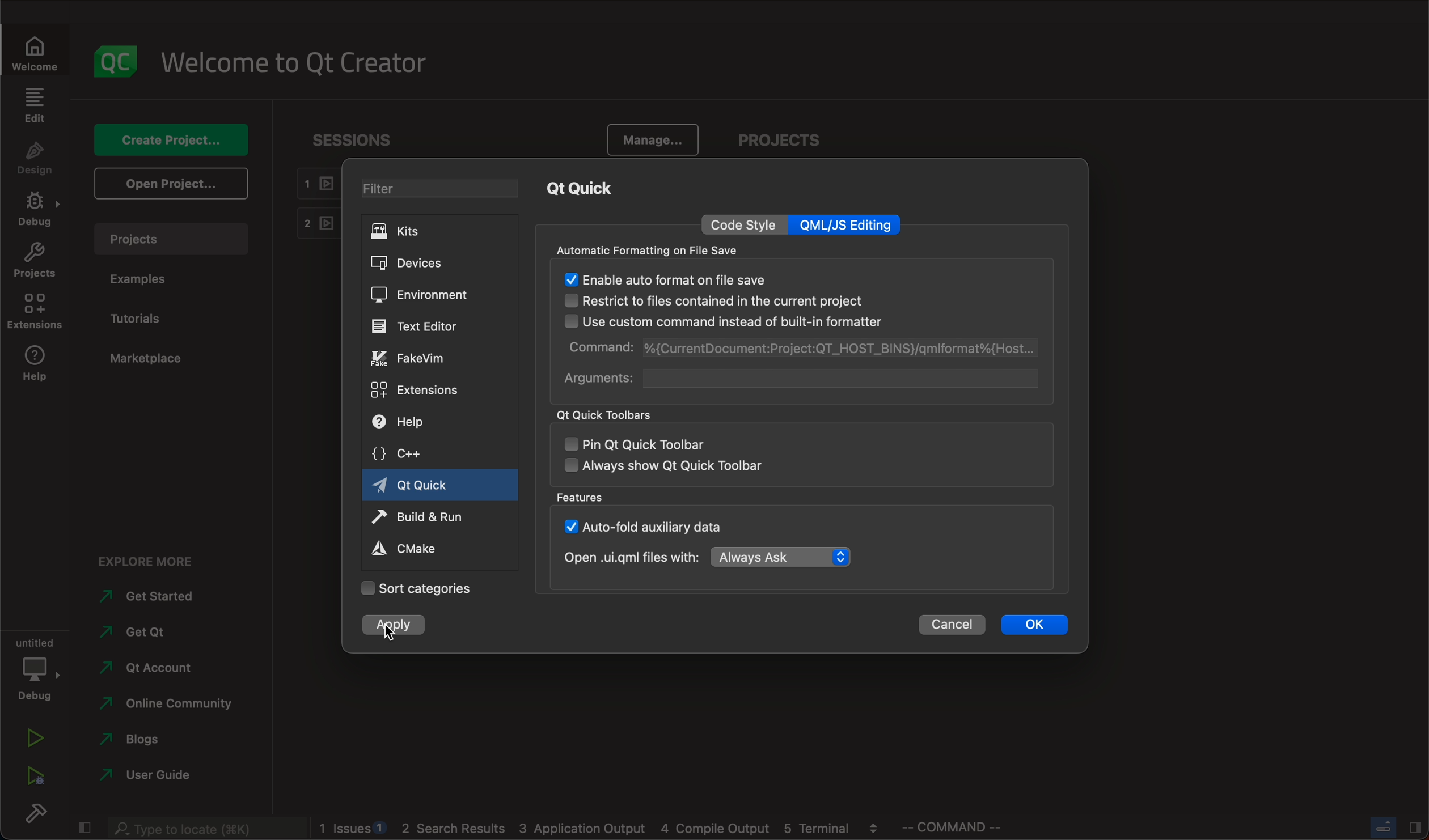 The height and width of the screenshot is (840, 1429). Describe the element at coordinates (297, 63) in the screenshot. I see `welcome` at that location.